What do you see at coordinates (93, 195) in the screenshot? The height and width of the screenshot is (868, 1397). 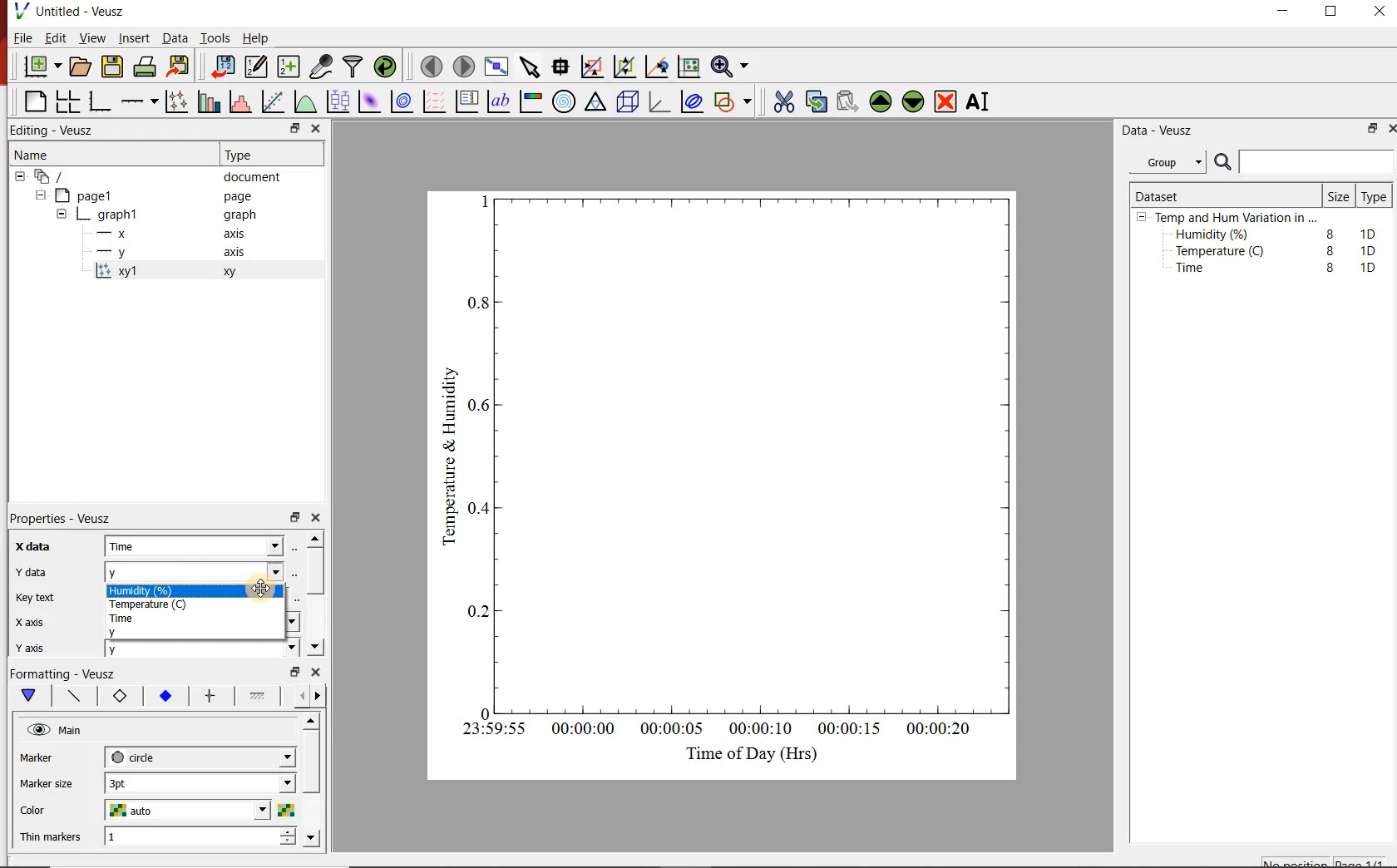 I see `page1` at bounding box center [93, 195].